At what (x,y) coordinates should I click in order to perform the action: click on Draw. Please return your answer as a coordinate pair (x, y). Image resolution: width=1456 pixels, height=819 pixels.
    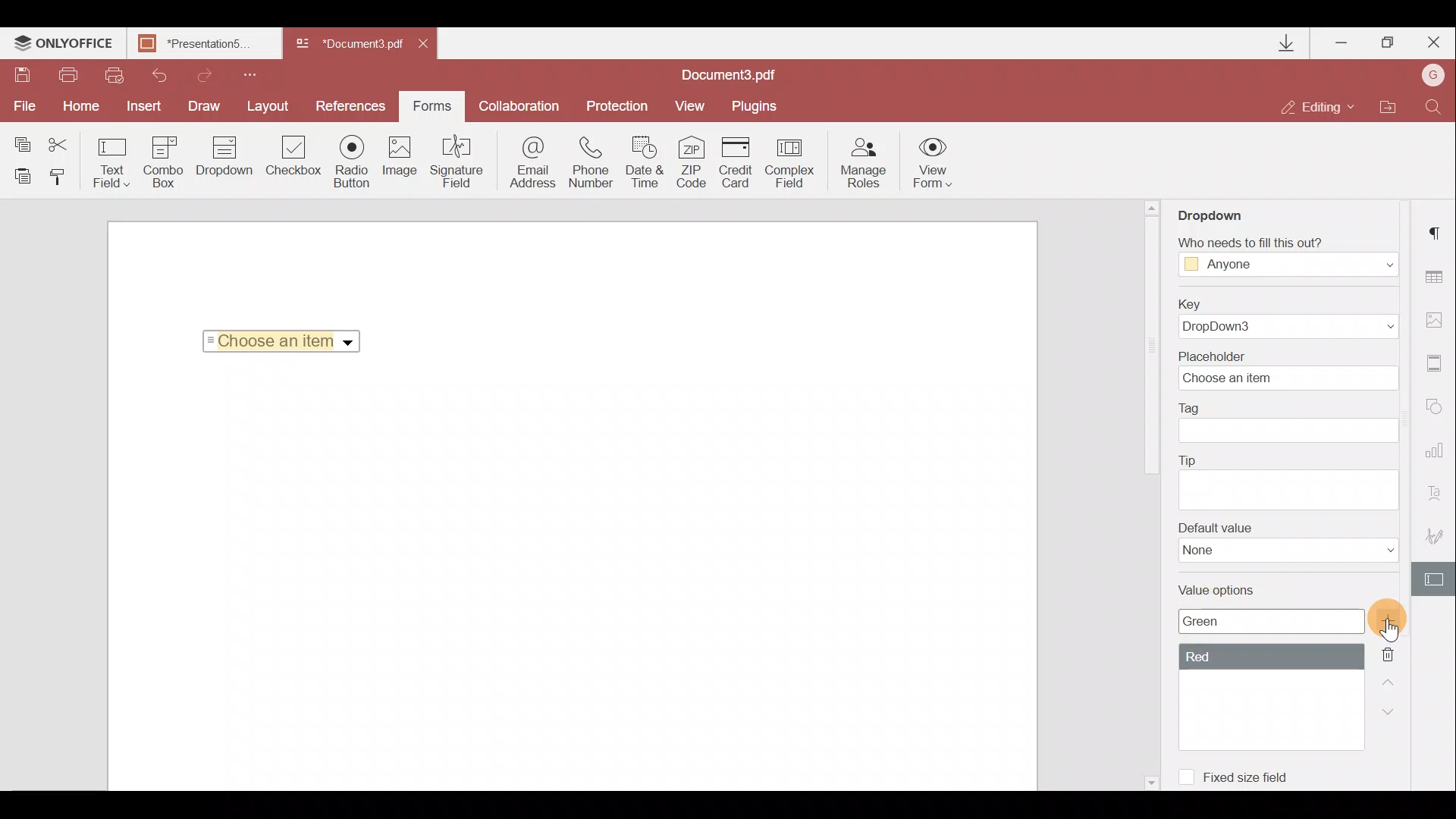
    Looking at the image, I should click on (208, 106).